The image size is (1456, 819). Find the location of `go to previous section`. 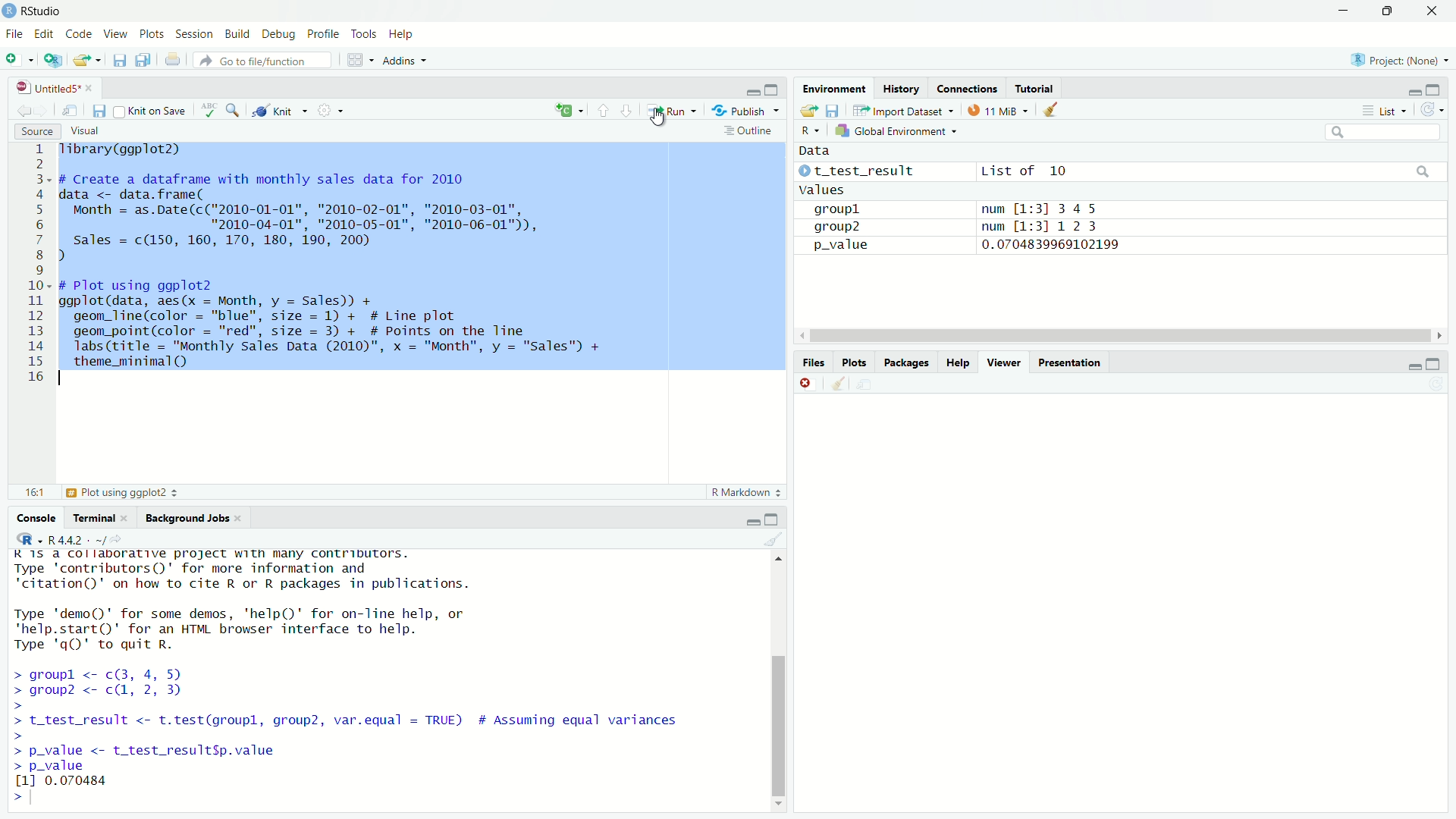

go to previous section is located at coordinates (604, 111).